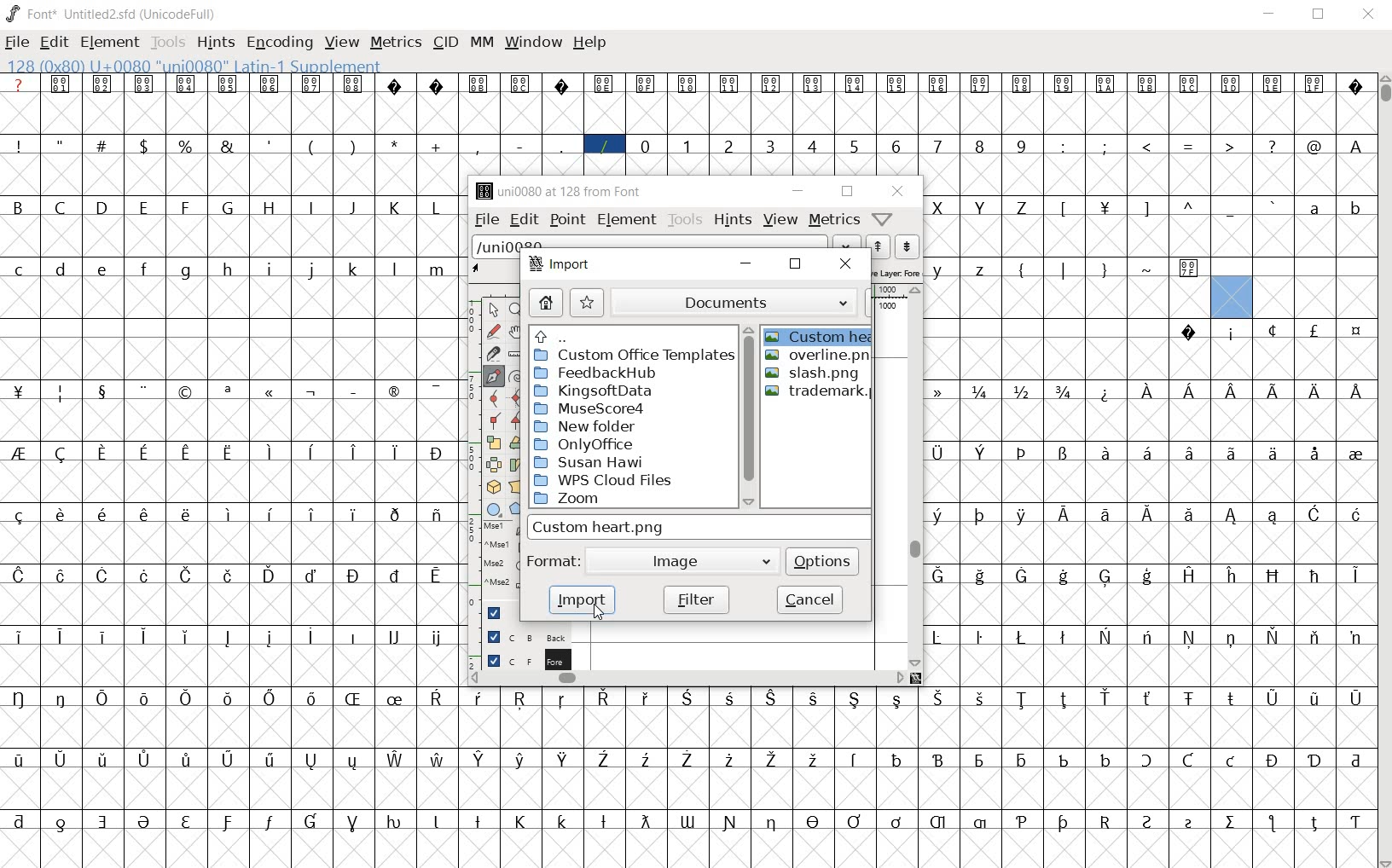  Describe the element at coordinates (1106, 578) in the screenshot. I see `glyph` at that location.